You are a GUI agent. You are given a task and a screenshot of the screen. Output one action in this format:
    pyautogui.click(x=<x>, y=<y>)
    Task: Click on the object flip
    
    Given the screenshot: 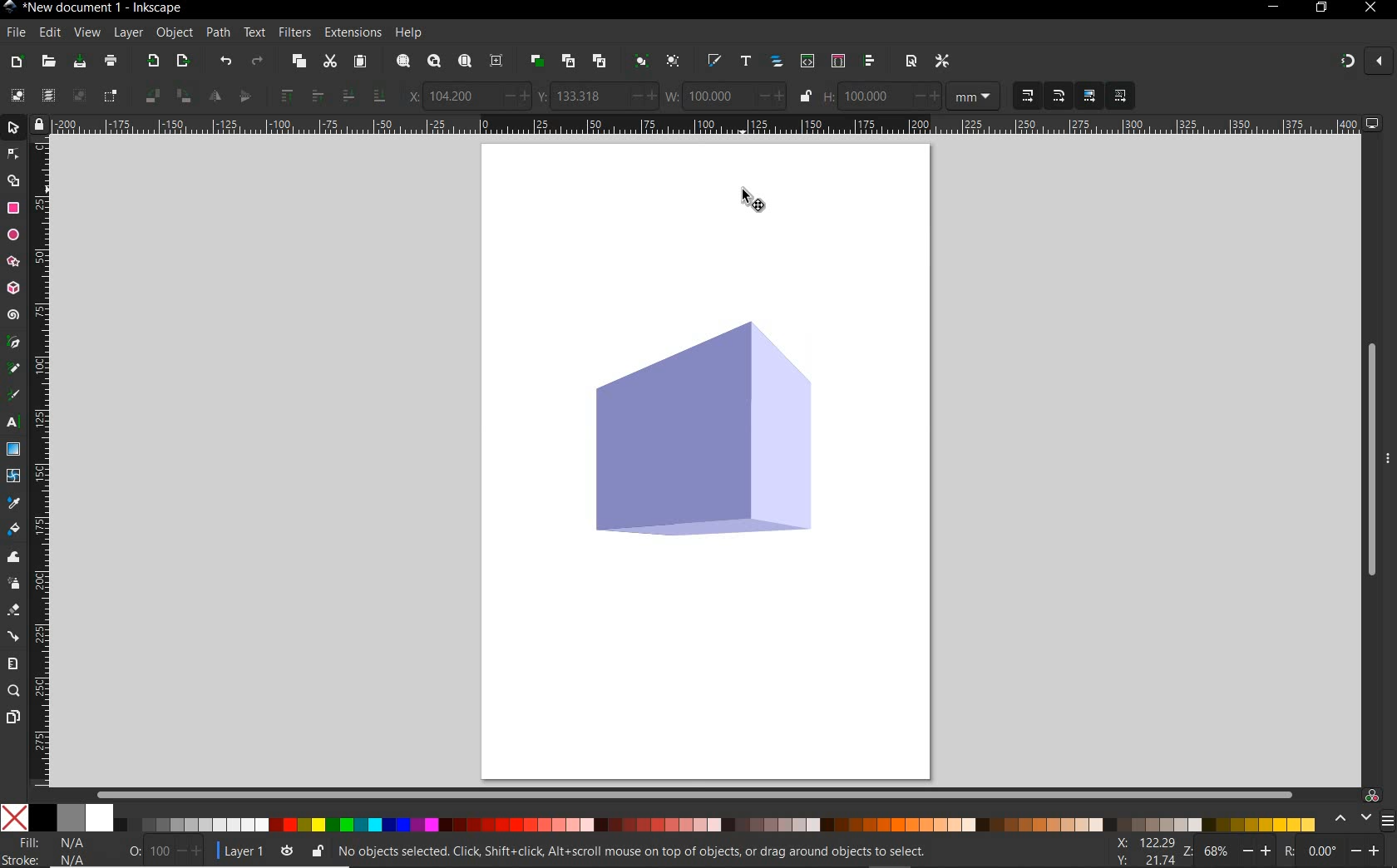 What is the action you would take?
    pyautogui.click(x=249, y=96)
    